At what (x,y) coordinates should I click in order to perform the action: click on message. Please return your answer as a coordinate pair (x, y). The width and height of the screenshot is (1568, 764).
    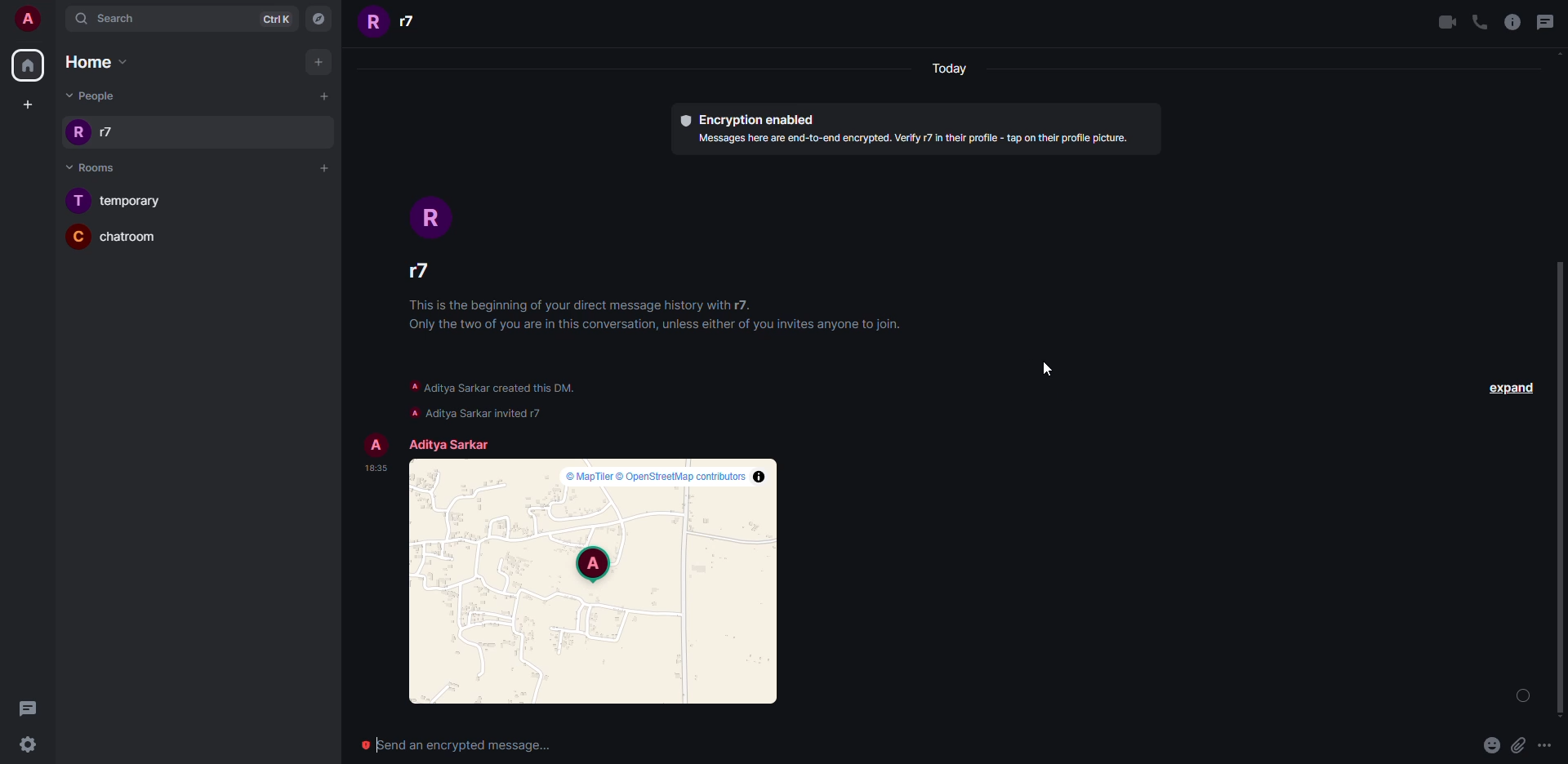
    Looking at the image, I should click on (1544, 21).